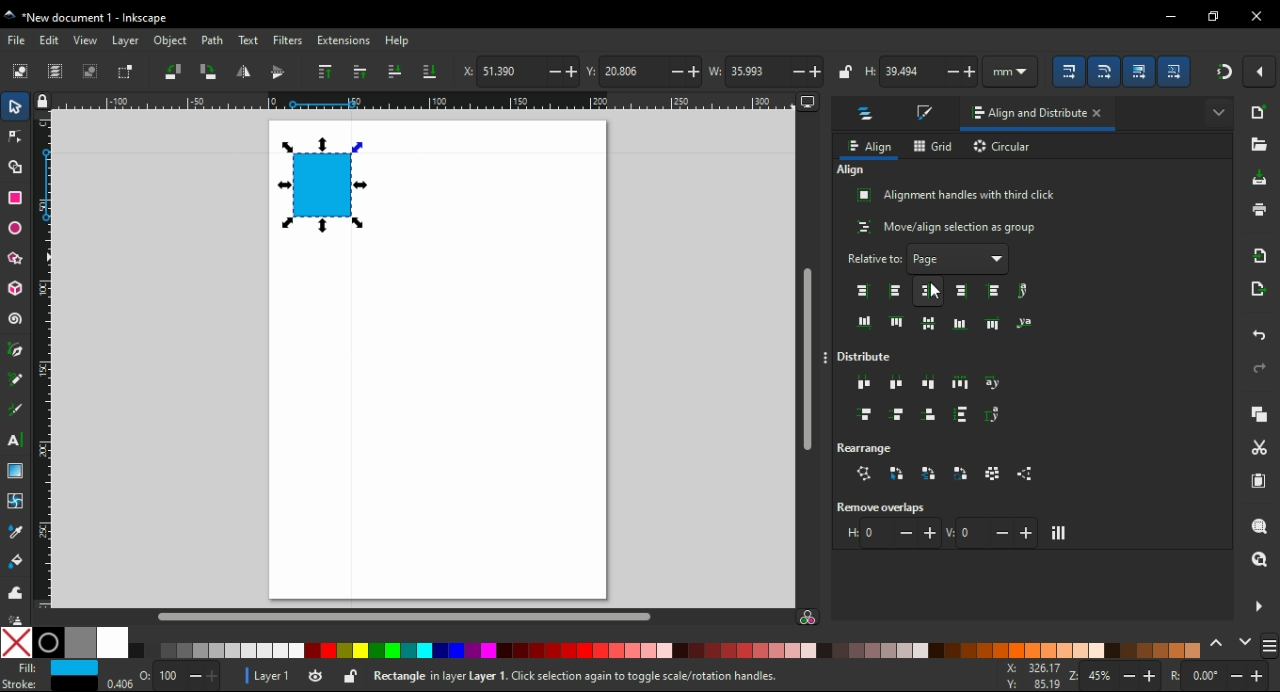 This screenshot has width=1280, height=692. I want to click on distribute vertically with even spacing between bottom edges, so click(932, 417).